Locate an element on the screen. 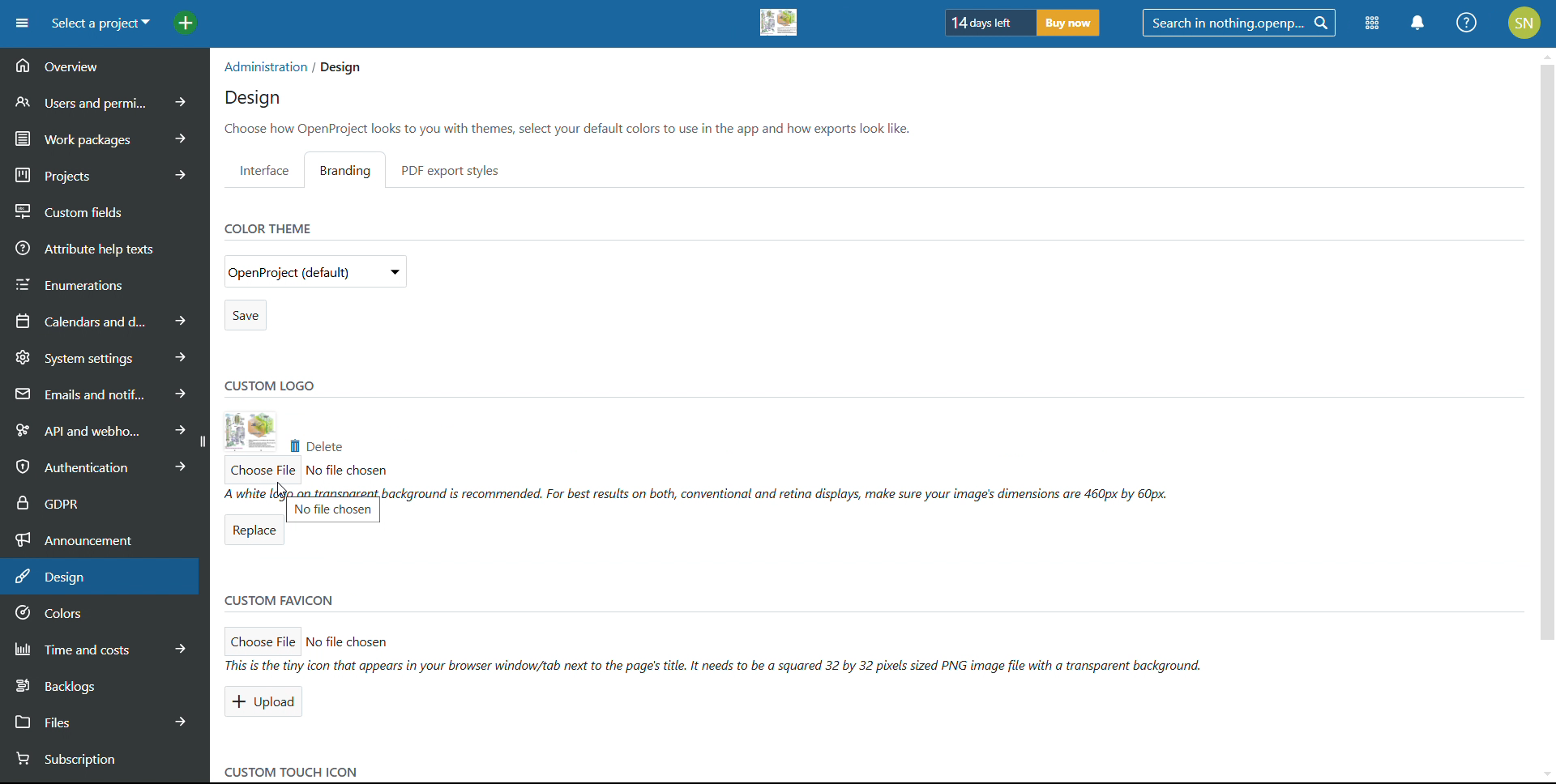 The image size is (1556, 784). select color theme is located at coordinates (315, 271).